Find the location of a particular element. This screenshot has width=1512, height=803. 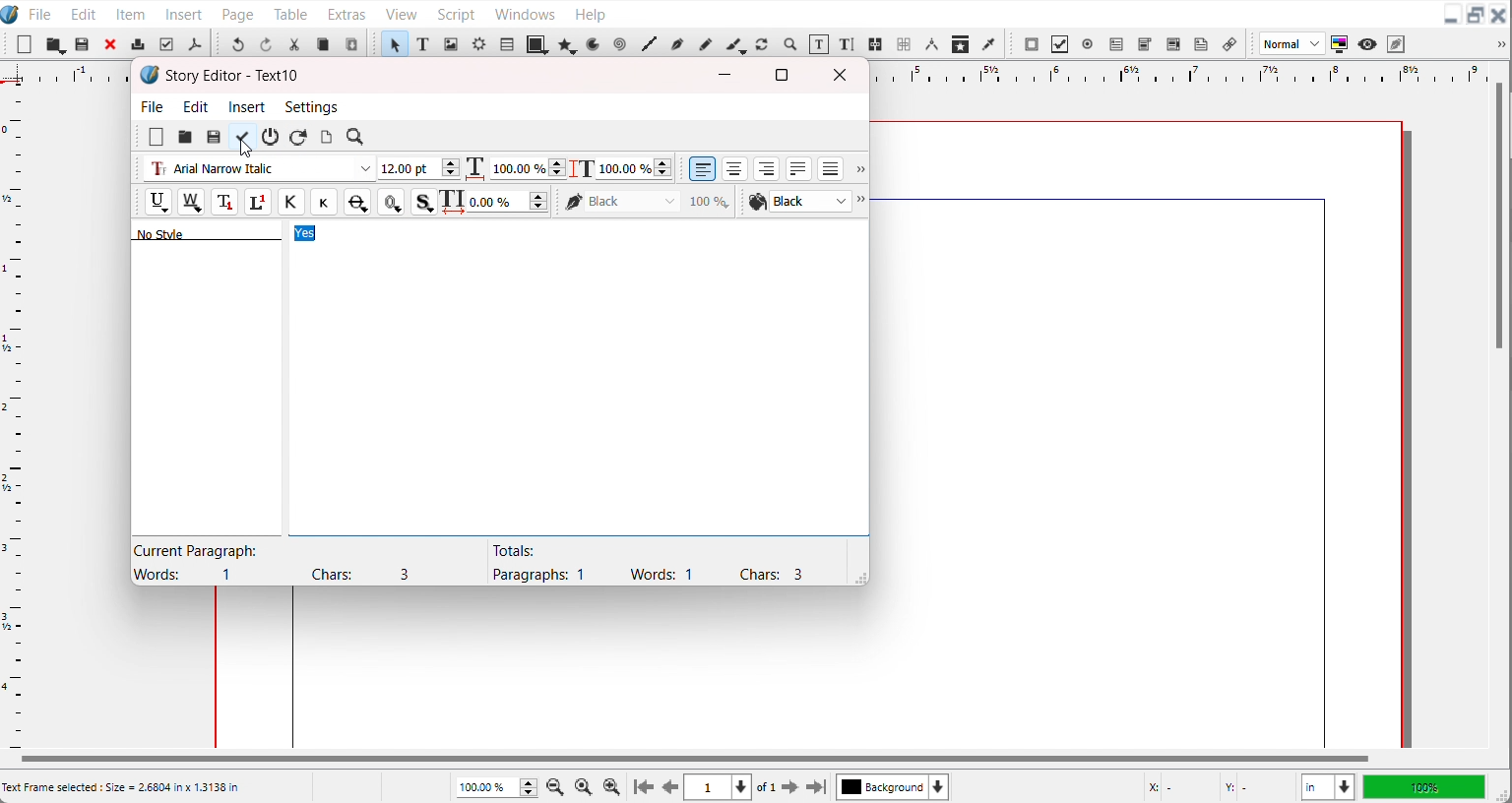

File is located at coordinates (154, 105).